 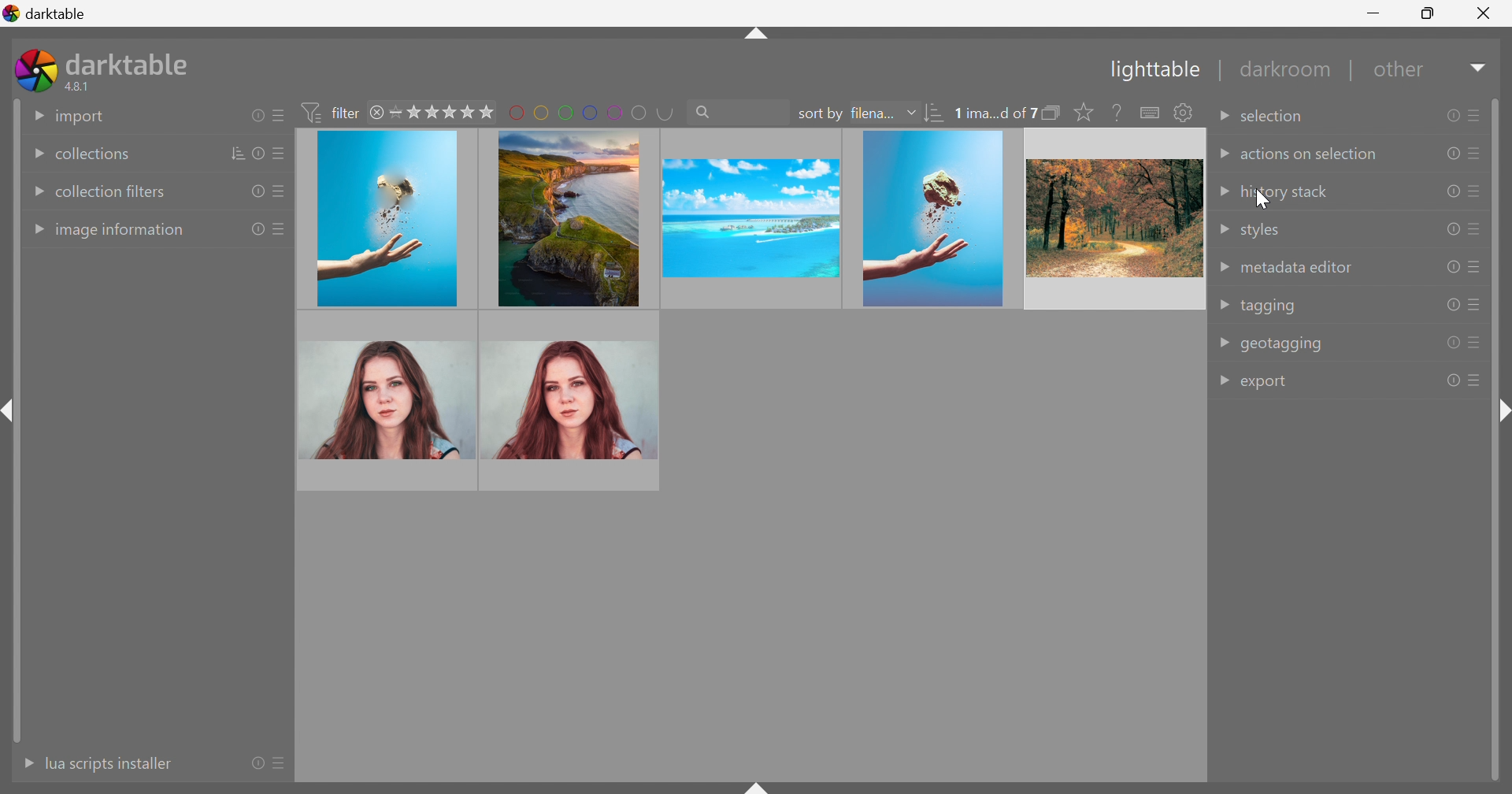 I want to click on Drop Down, so click(x=1221, y=193).